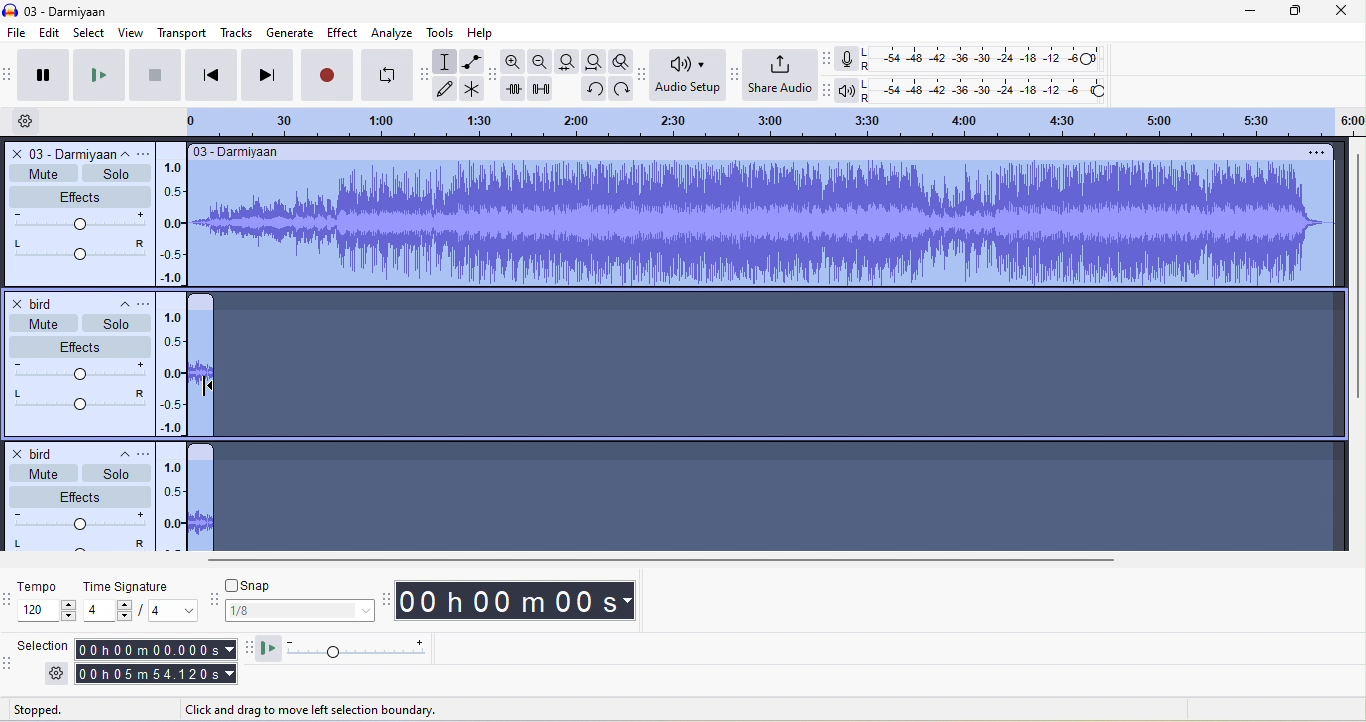 This screenshot has width=1366, height=722. I want to click on pause, so click(47, 75).